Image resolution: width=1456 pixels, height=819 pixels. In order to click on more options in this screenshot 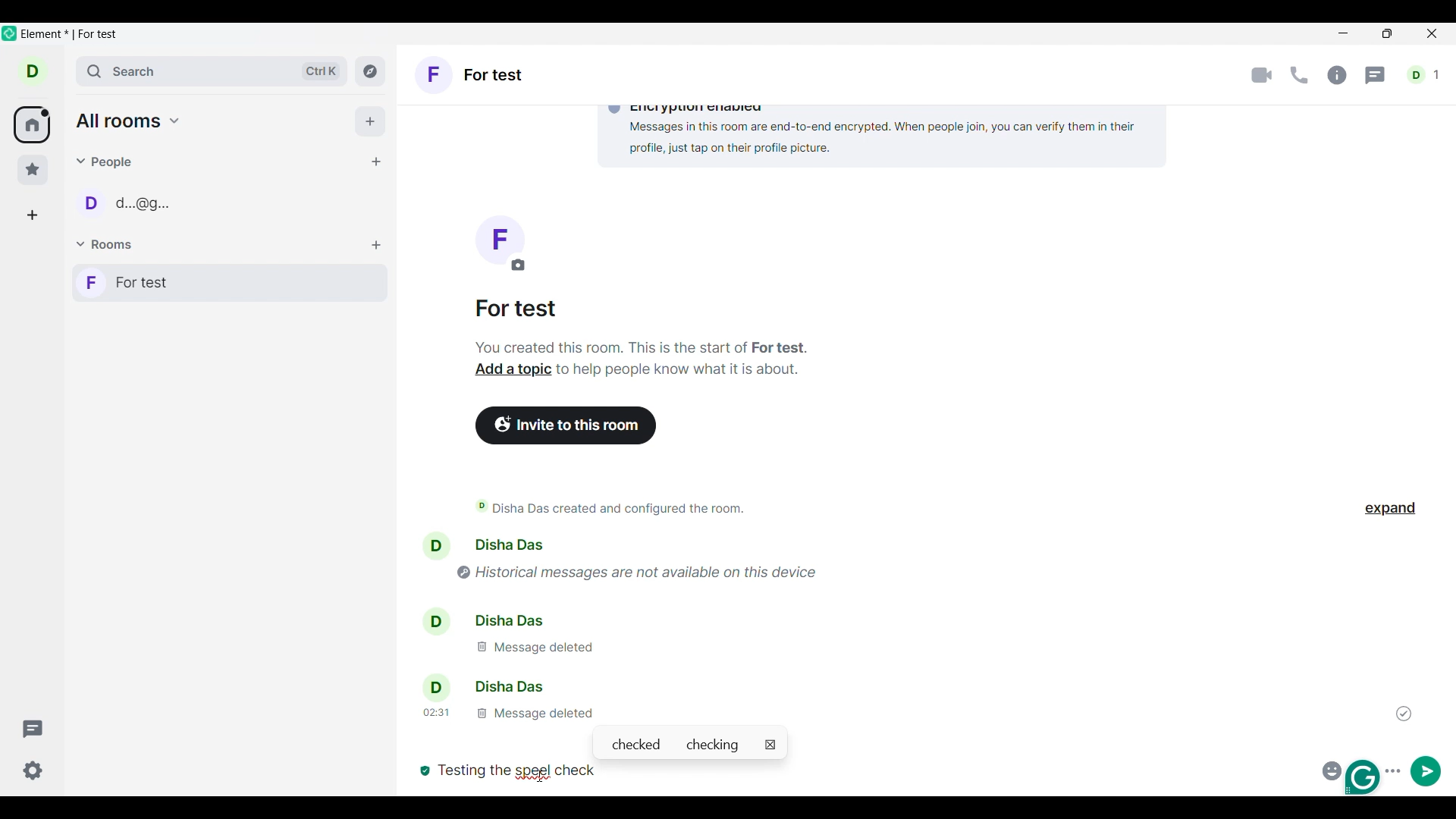, I will do `click(1395, 769)`.